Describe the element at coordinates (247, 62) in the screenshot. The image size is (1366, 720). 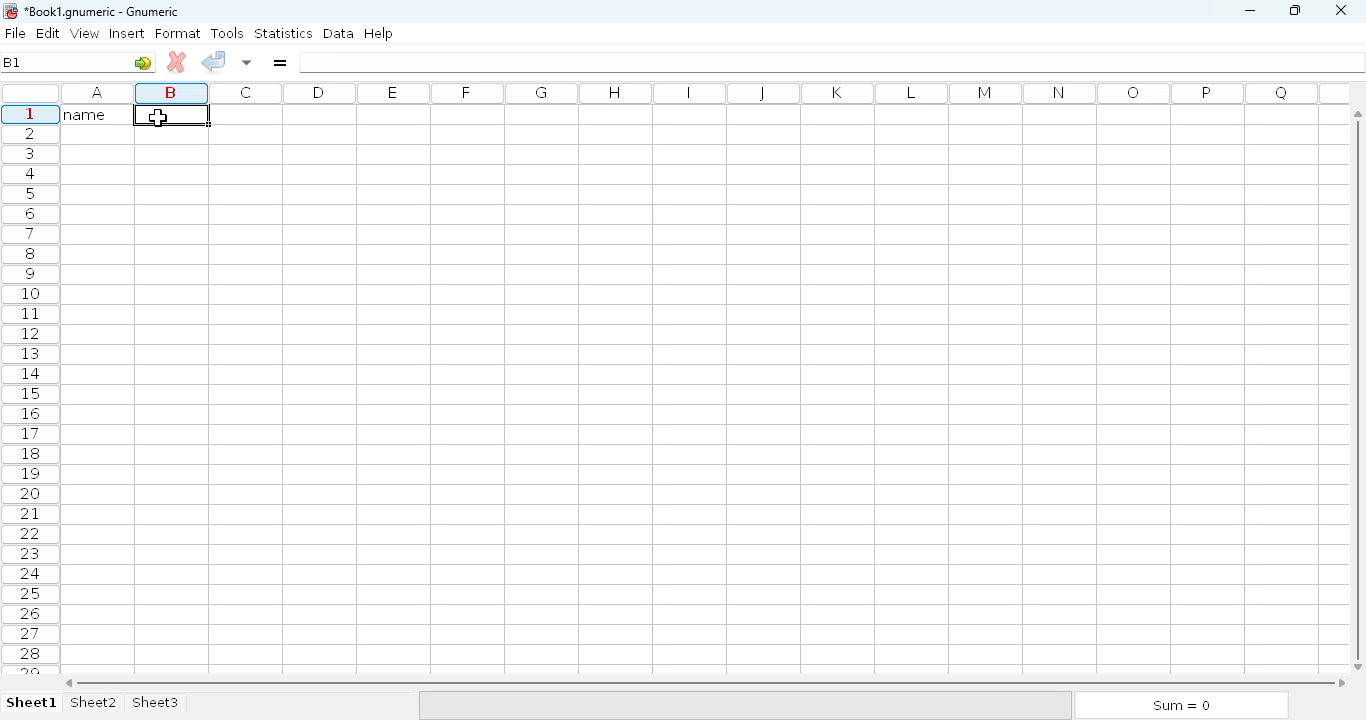
I see `accept change in multiple cells` at that location.